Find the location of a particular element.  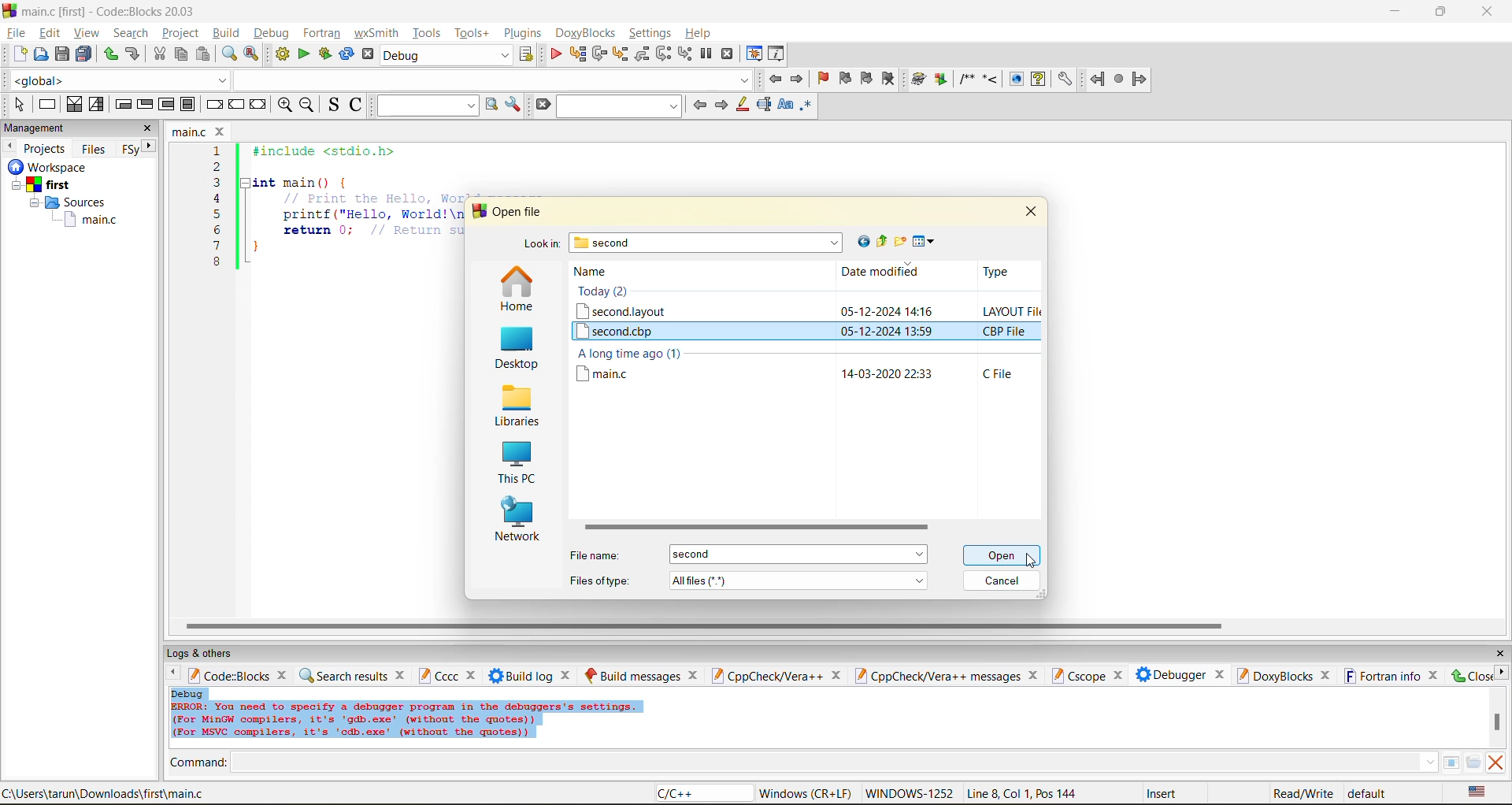

previous is located at coordinates (699, 105).